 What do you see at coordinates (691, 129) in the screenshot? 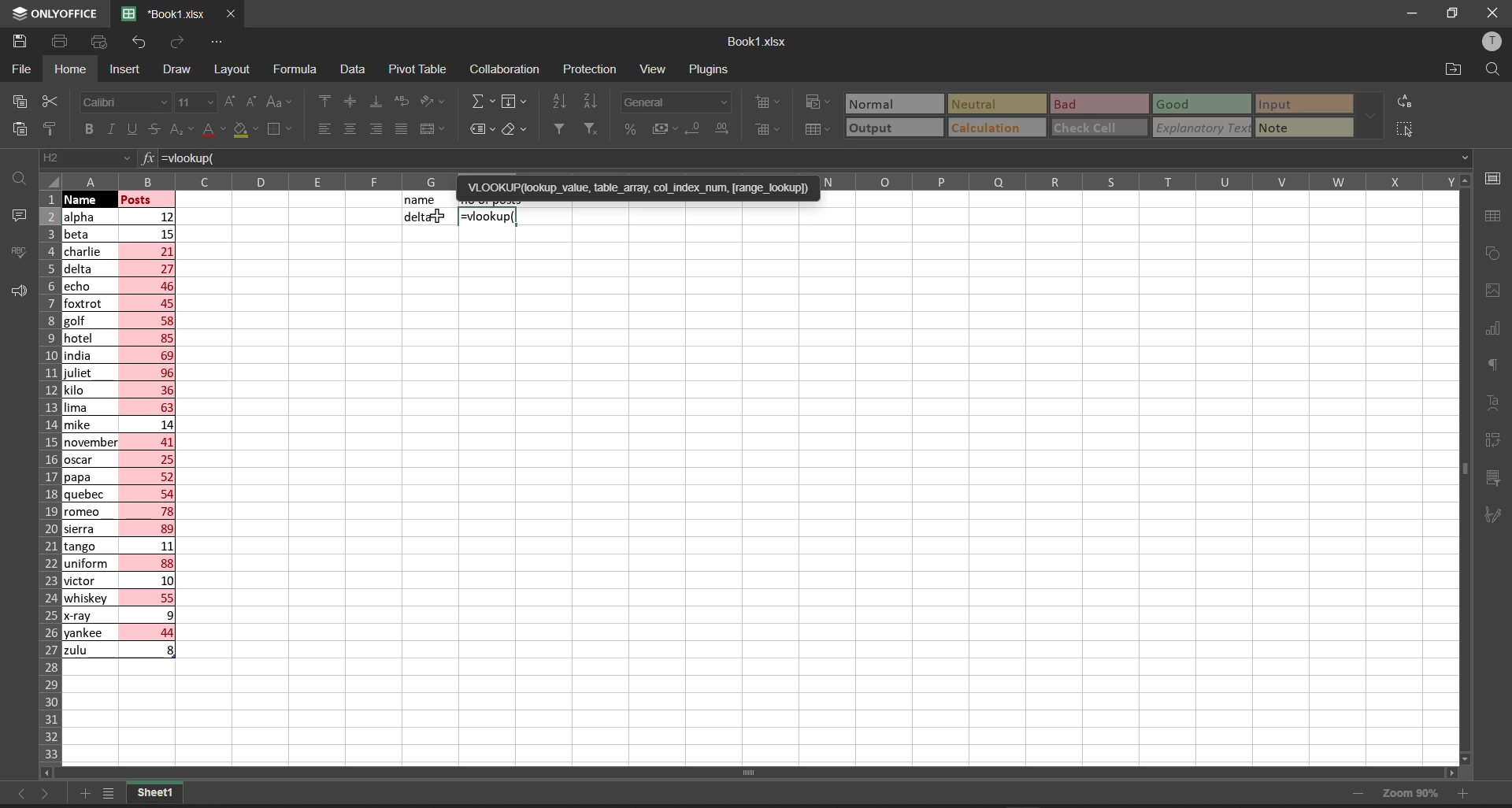
I see `decrease decimal` at bounding box center [691, 129].